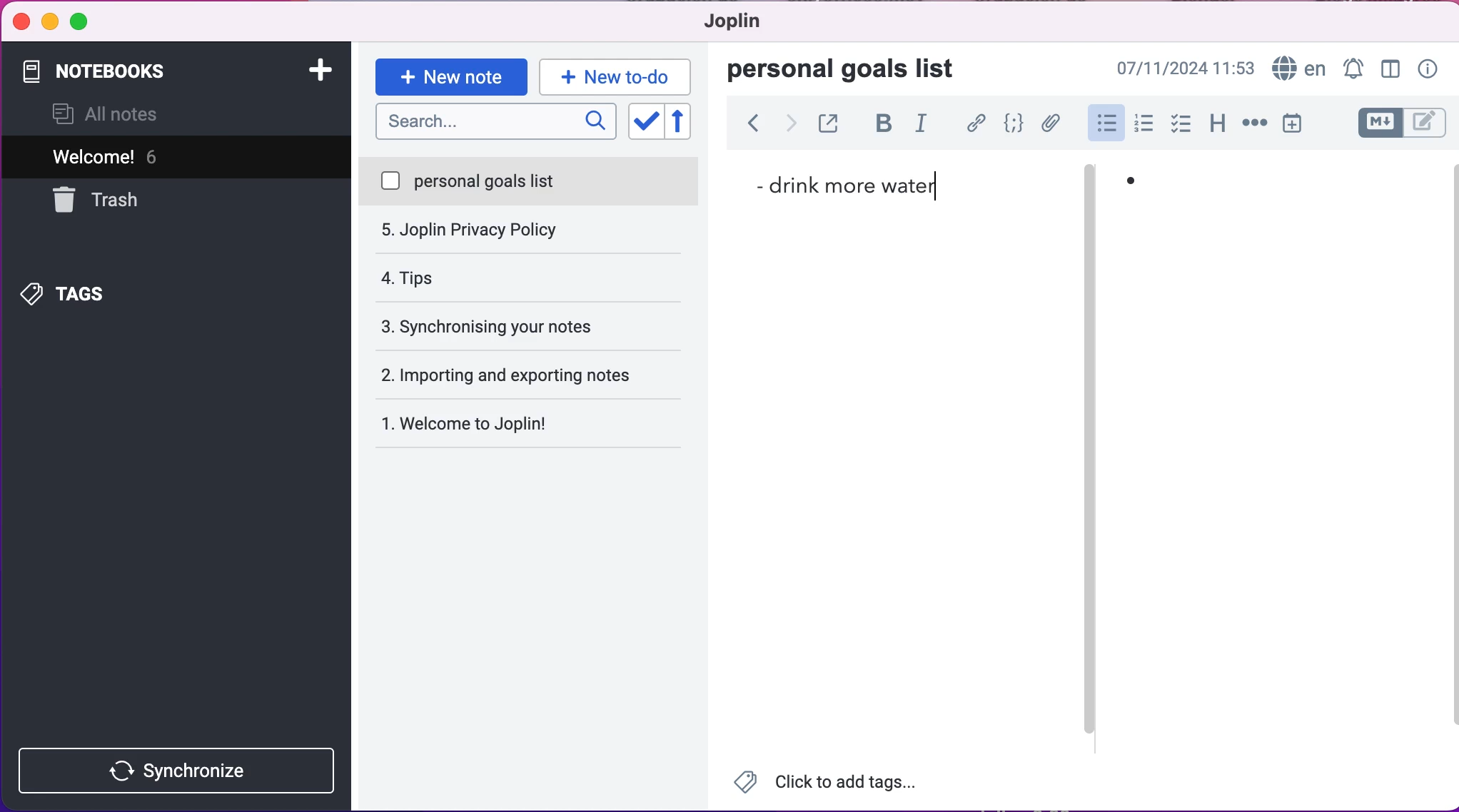 The width and height of the screenshot is (1459, 812). Describe the element at coordinates (494, 123) in the screenshot. I see `search` at that location.